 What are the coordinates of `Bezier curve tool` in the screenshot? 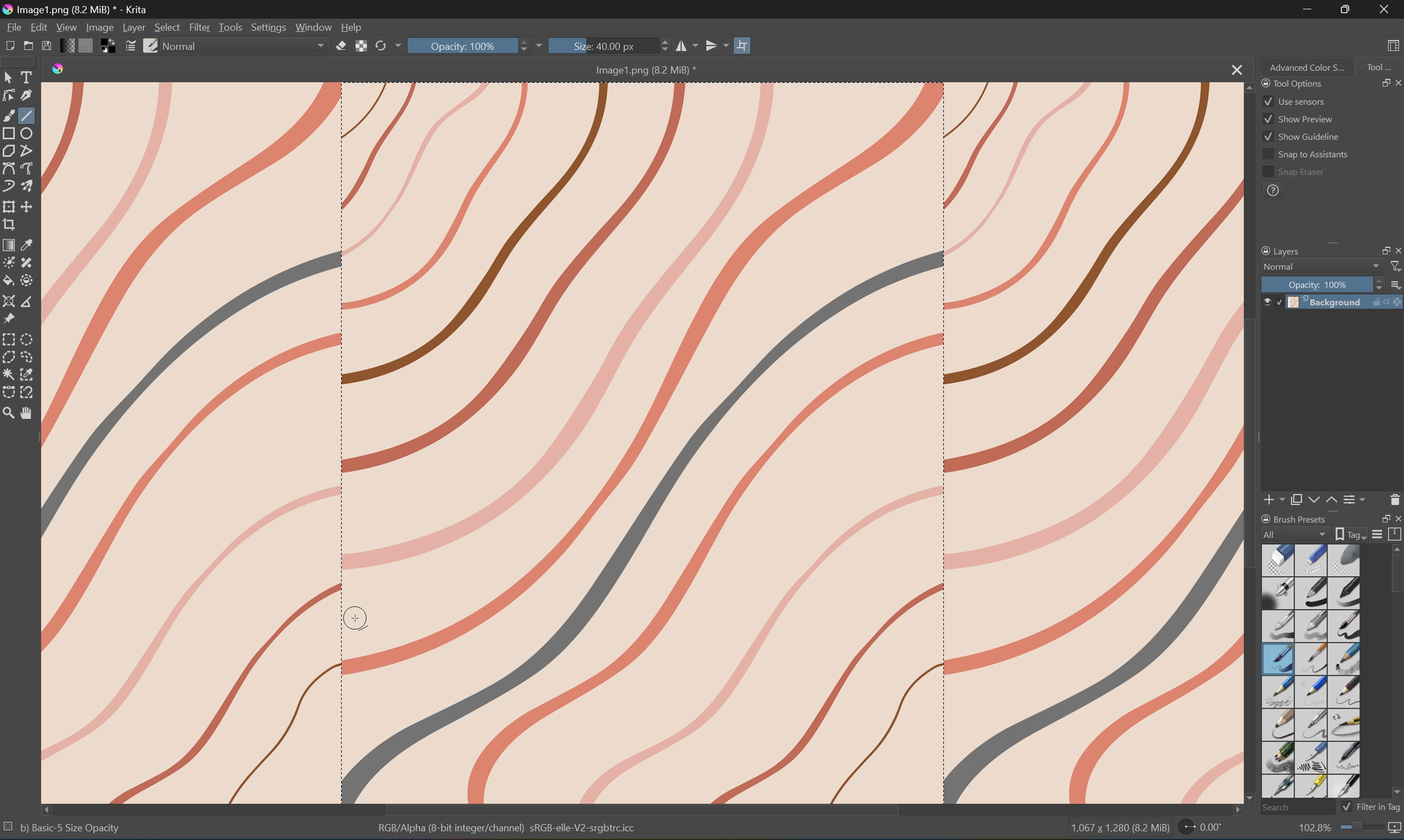 It's located at (9, 168).